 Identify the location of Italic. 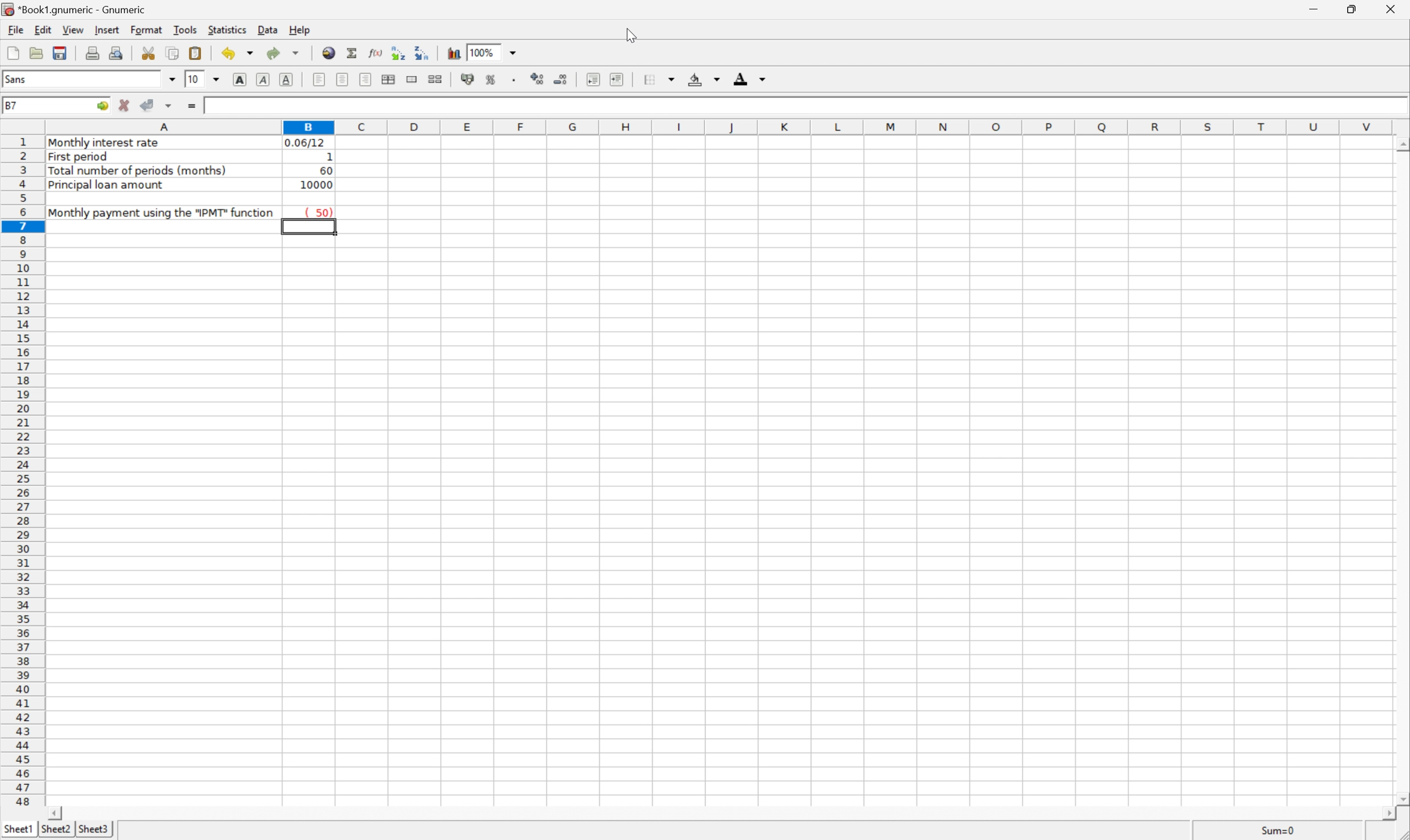
(266, 79).